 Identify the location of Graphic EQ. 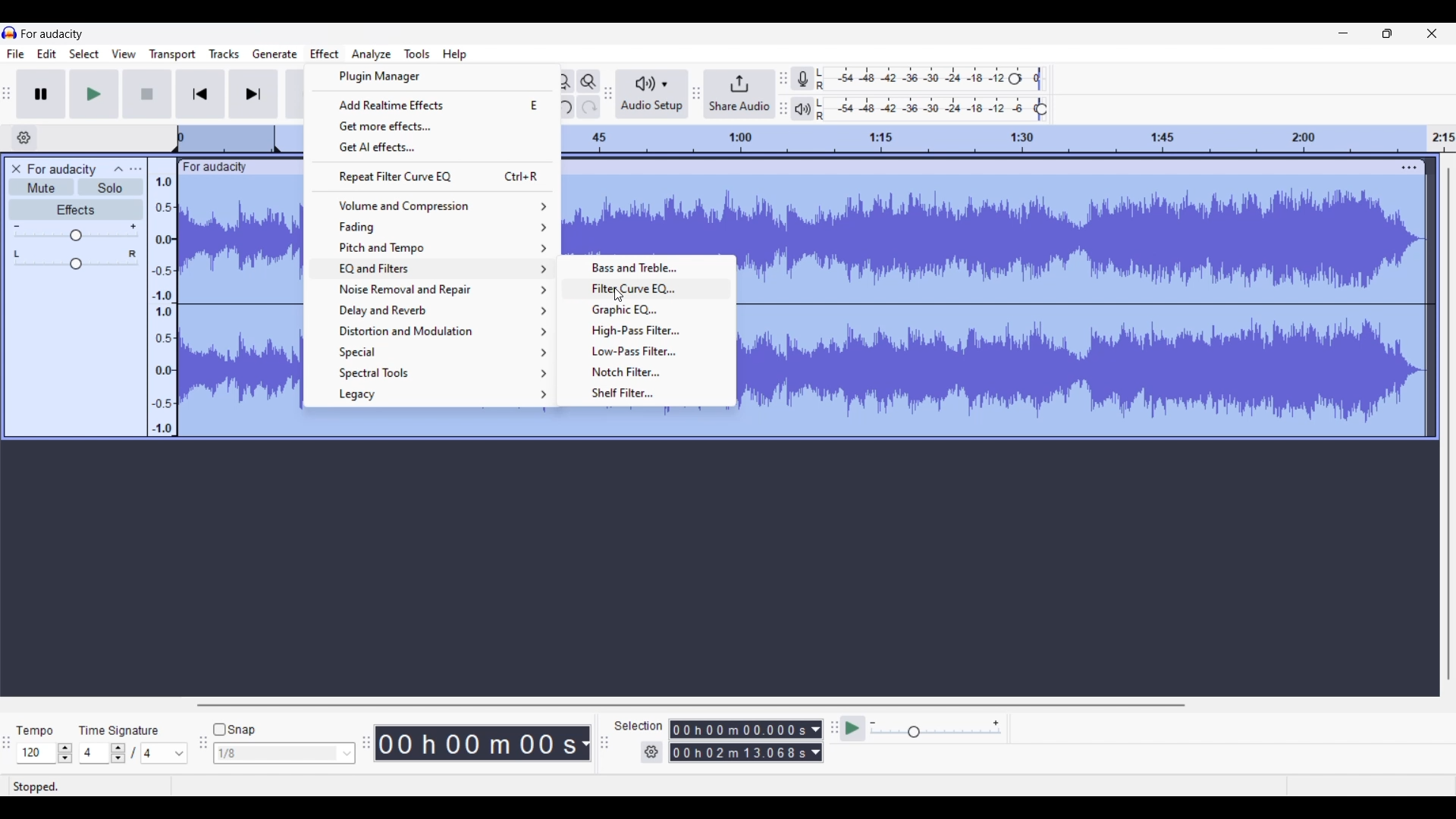
(648, 310).